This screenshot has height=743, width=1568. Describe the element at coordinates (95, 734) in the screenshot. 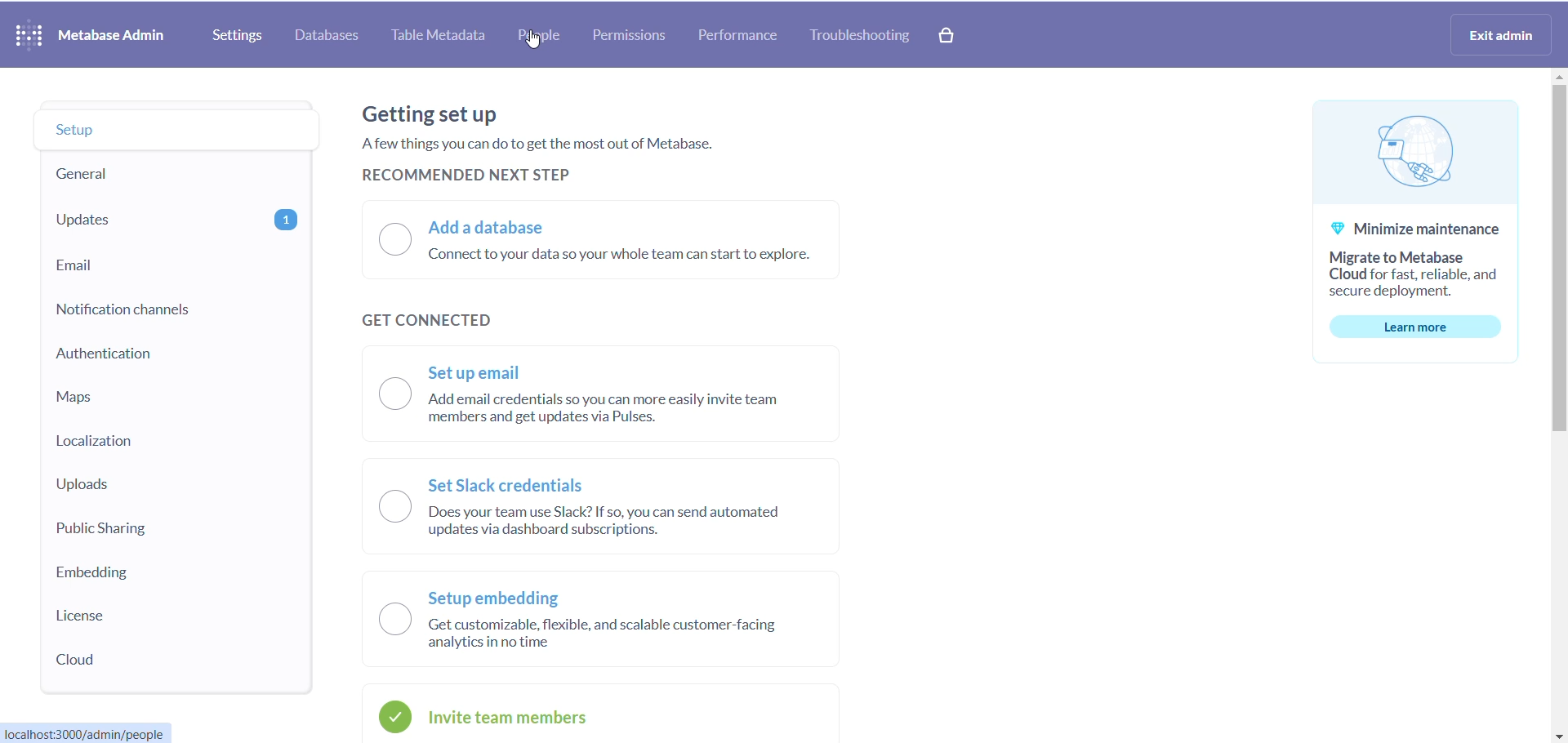

I see `URL` at that location.